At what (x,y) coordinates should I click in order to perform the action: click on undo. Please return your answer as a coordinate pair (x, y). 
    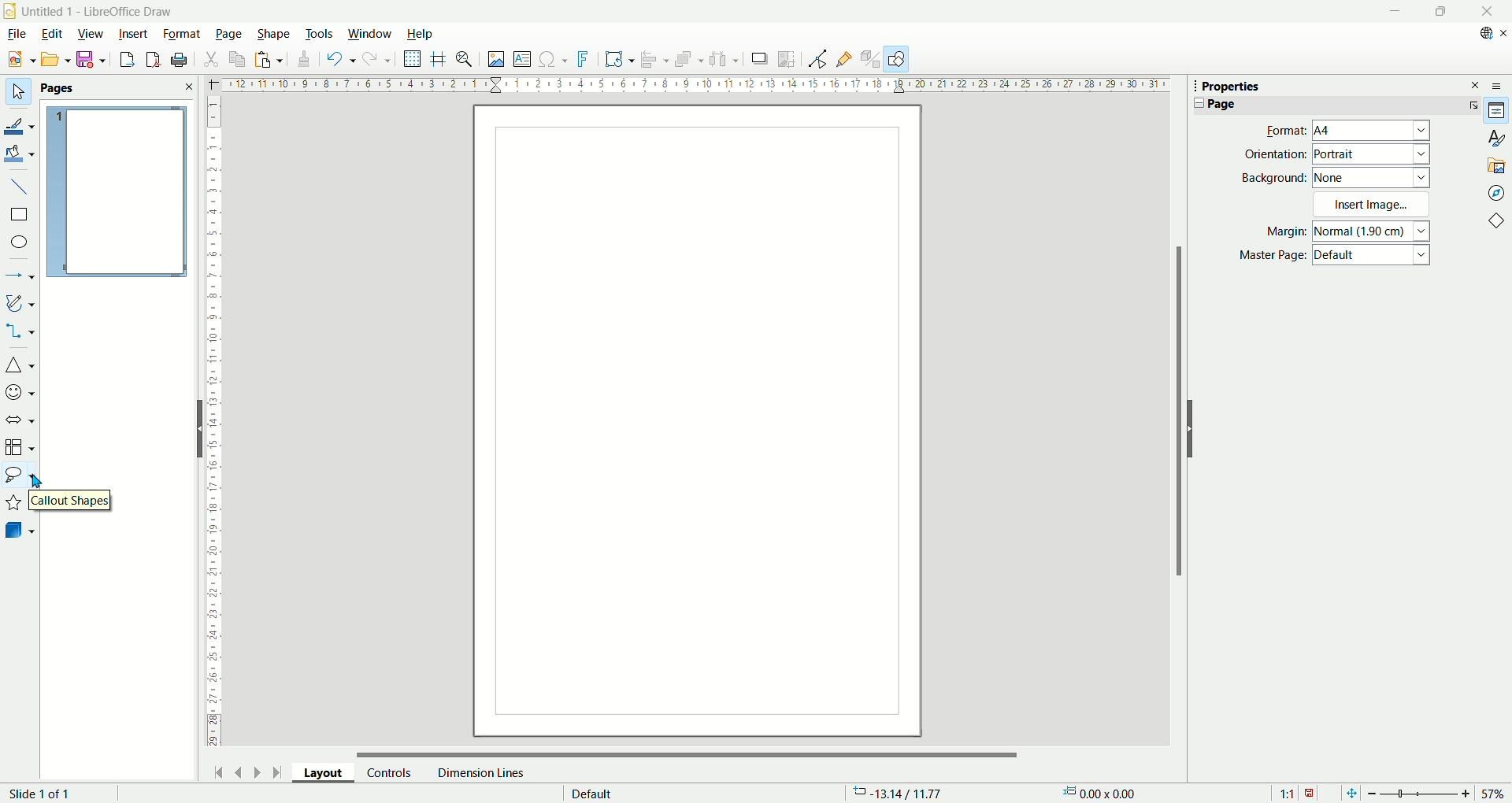
    Looking at the image, I should click on (338, 59).